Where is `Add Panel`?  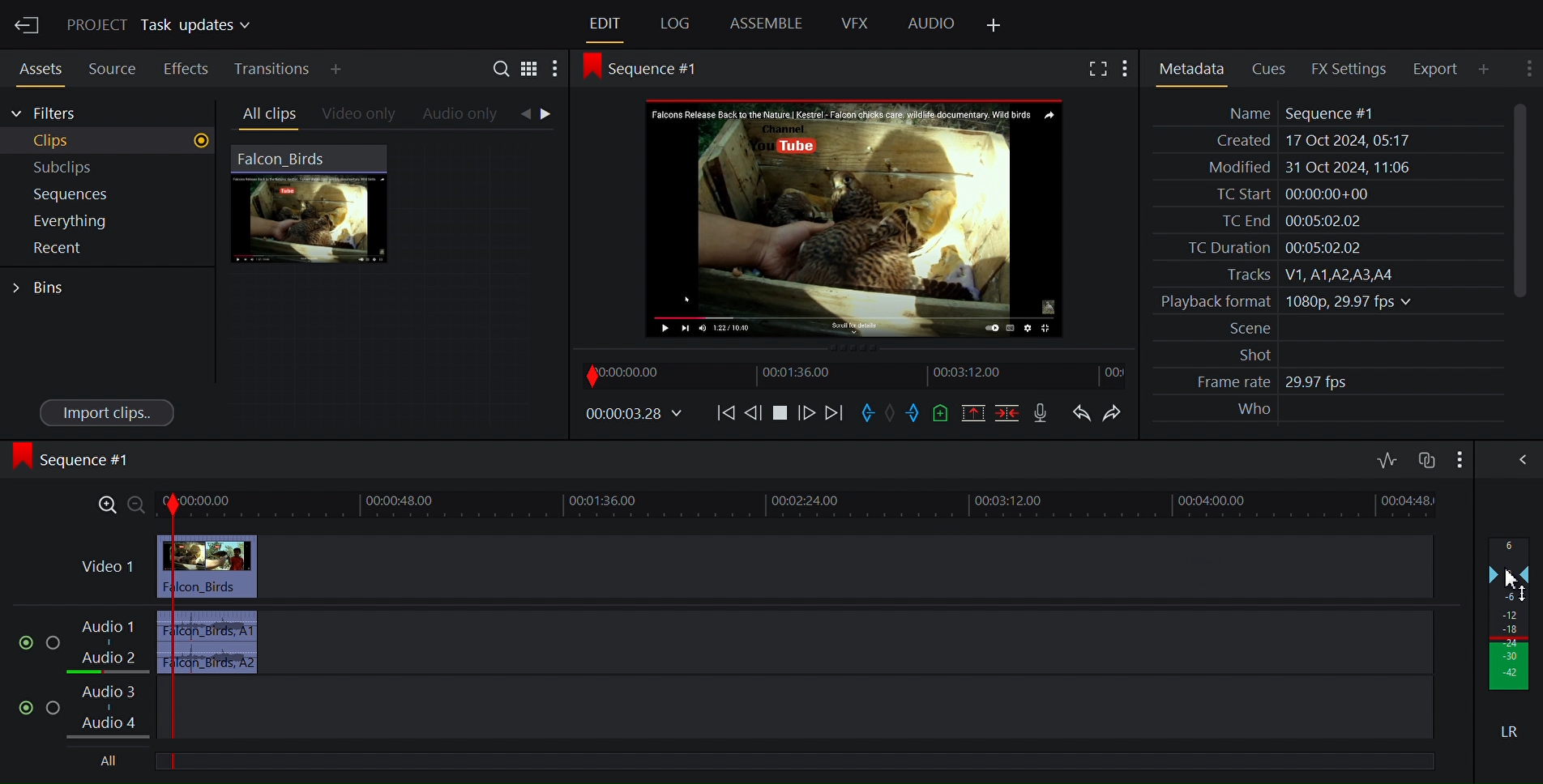
Add Panel is located at coordinates (336, 68).